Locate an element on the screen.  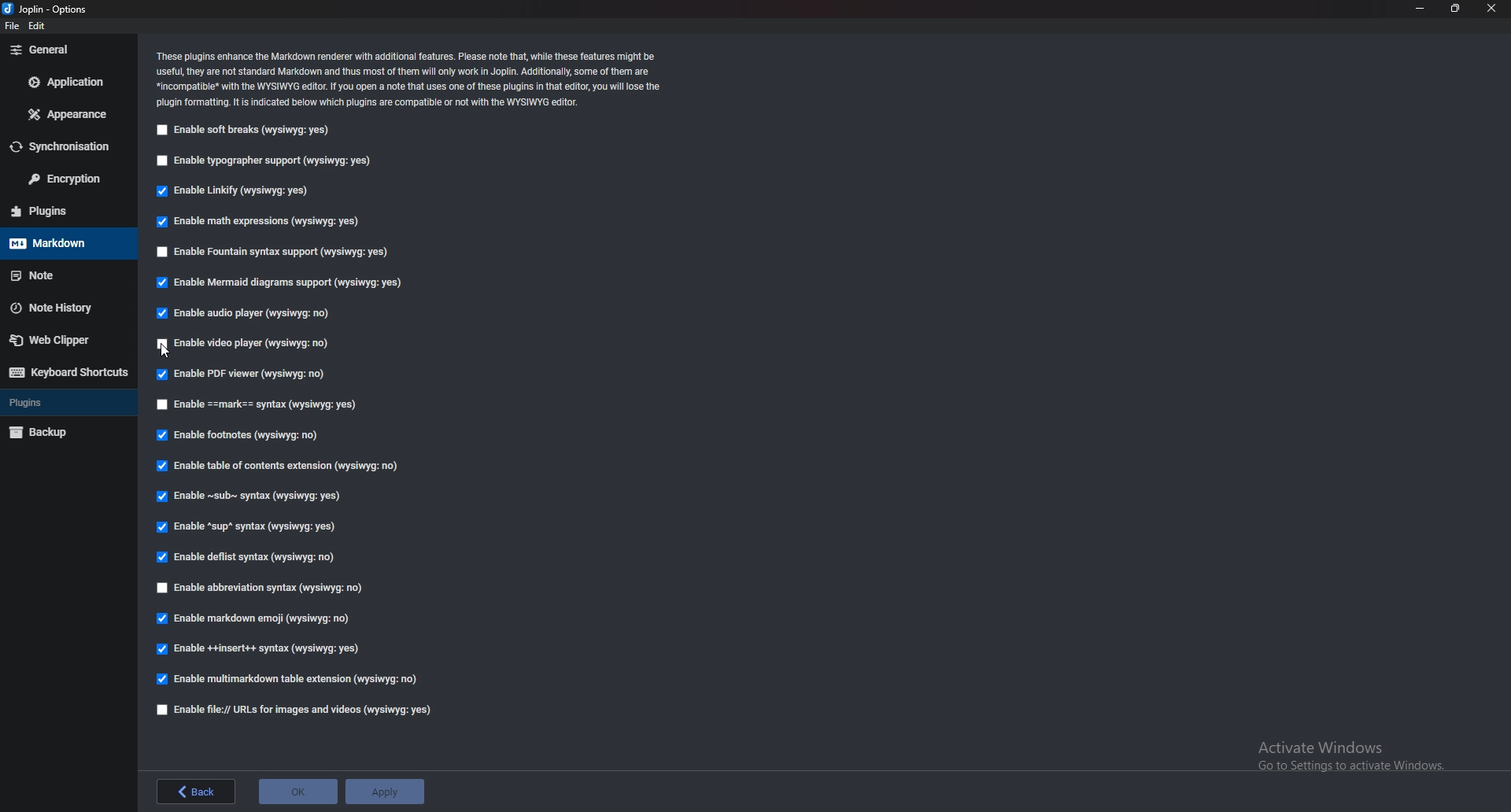
Enable soft breaks is located at coordinates (244, 132).